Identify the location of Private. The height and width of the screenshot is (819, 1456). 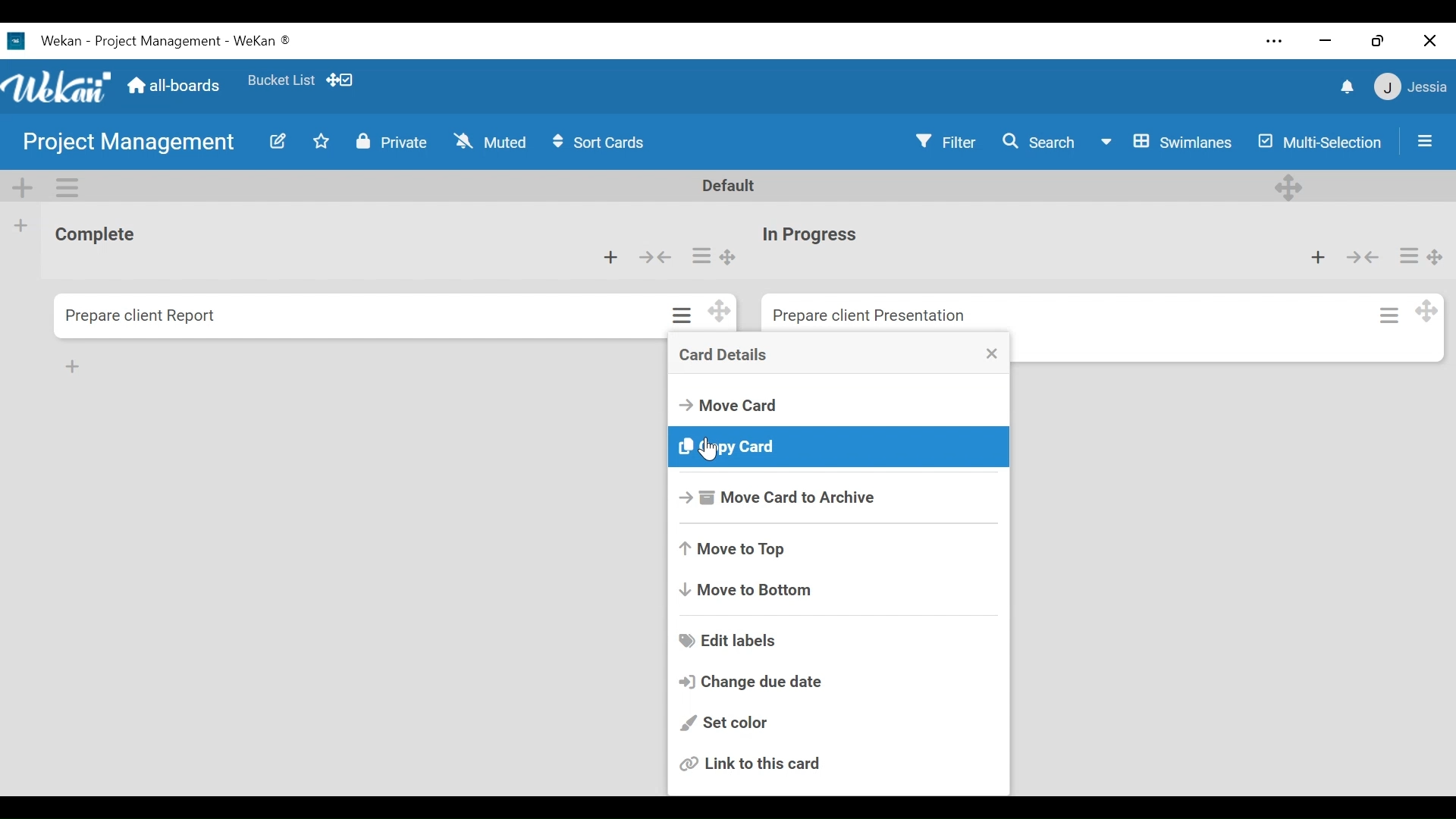
(394, 143).